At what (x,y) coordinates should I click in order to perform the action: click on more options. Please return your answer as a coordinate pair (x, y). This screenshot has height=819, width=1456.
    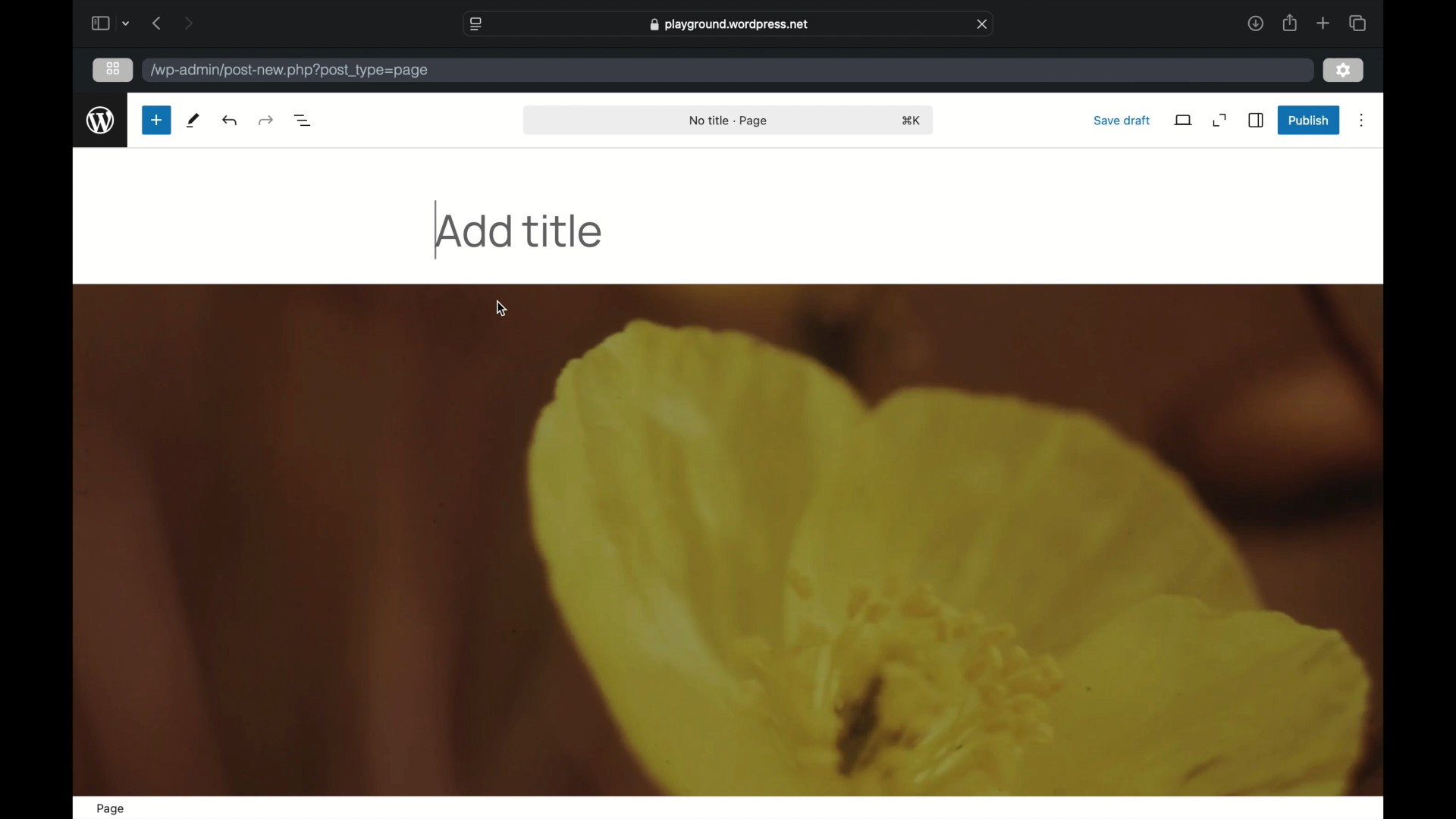
    Looking at the image, I should click on (1361, 121).